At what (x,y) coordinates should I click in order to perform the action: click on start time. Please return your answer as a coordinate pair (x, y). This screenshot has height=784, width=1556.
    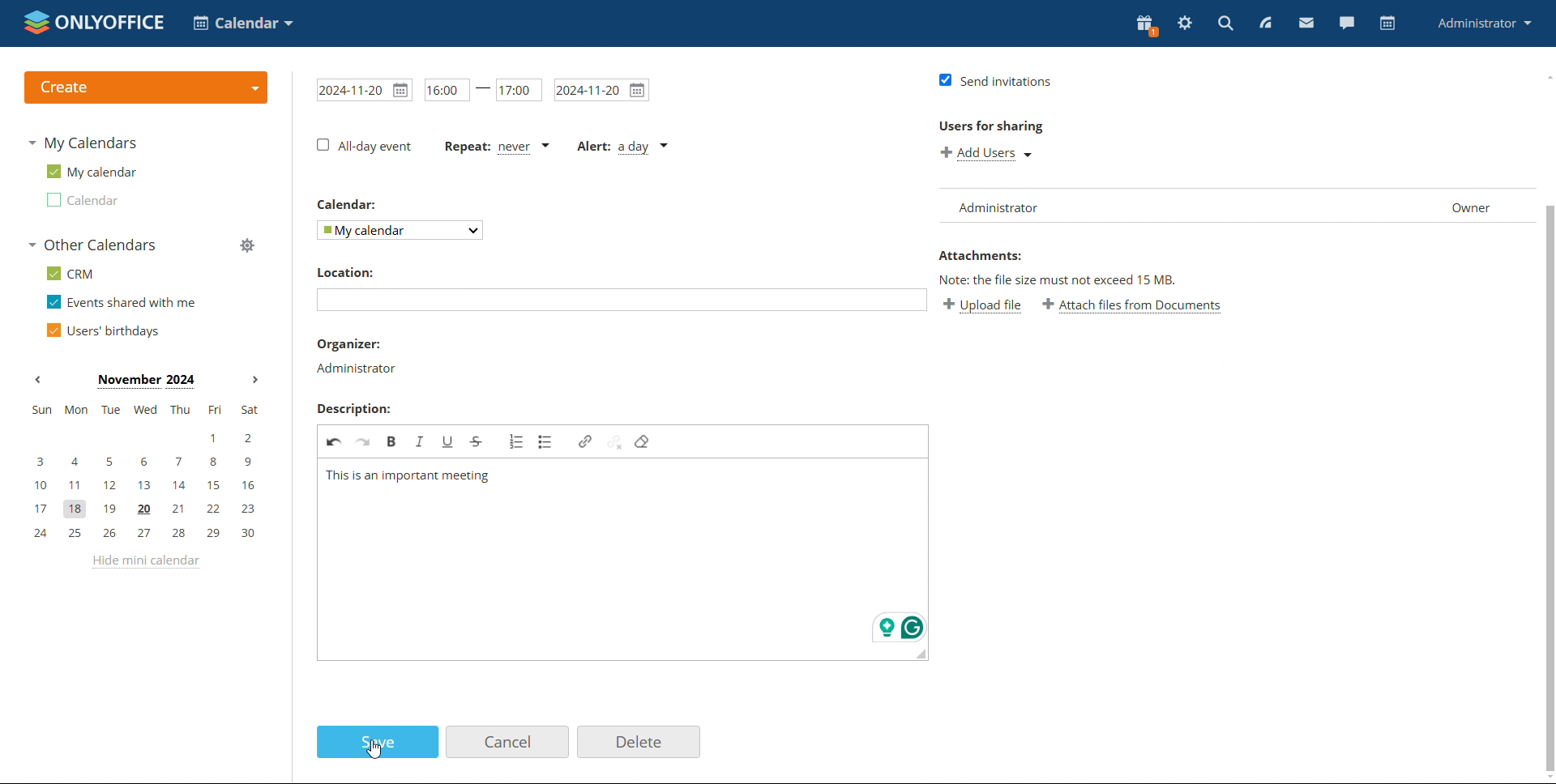
    Looking at the image, I should click on (447, 89).